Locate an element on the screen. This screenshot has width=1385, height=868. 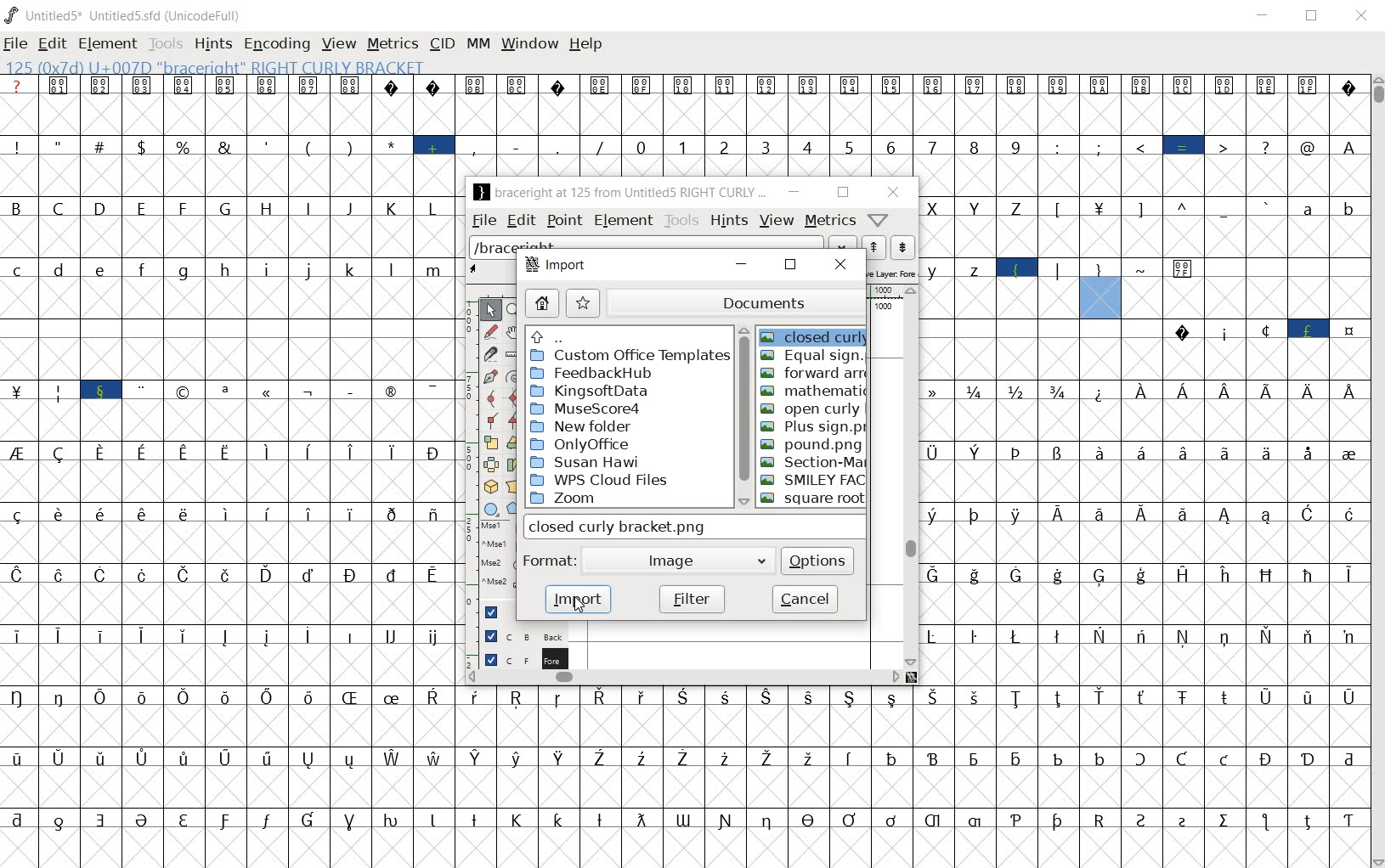
CID is located at coordinates (442, 44).